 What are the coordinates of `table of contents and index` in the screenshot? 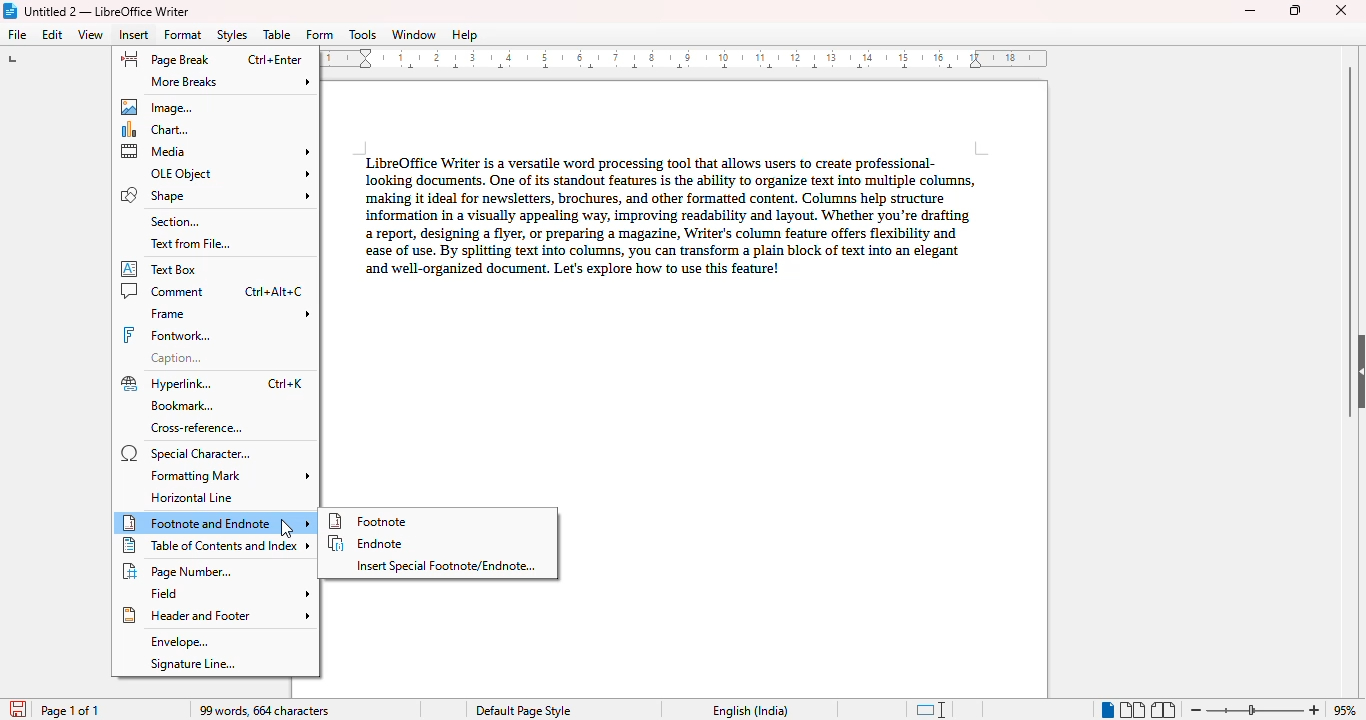 It's located at (216, 545).